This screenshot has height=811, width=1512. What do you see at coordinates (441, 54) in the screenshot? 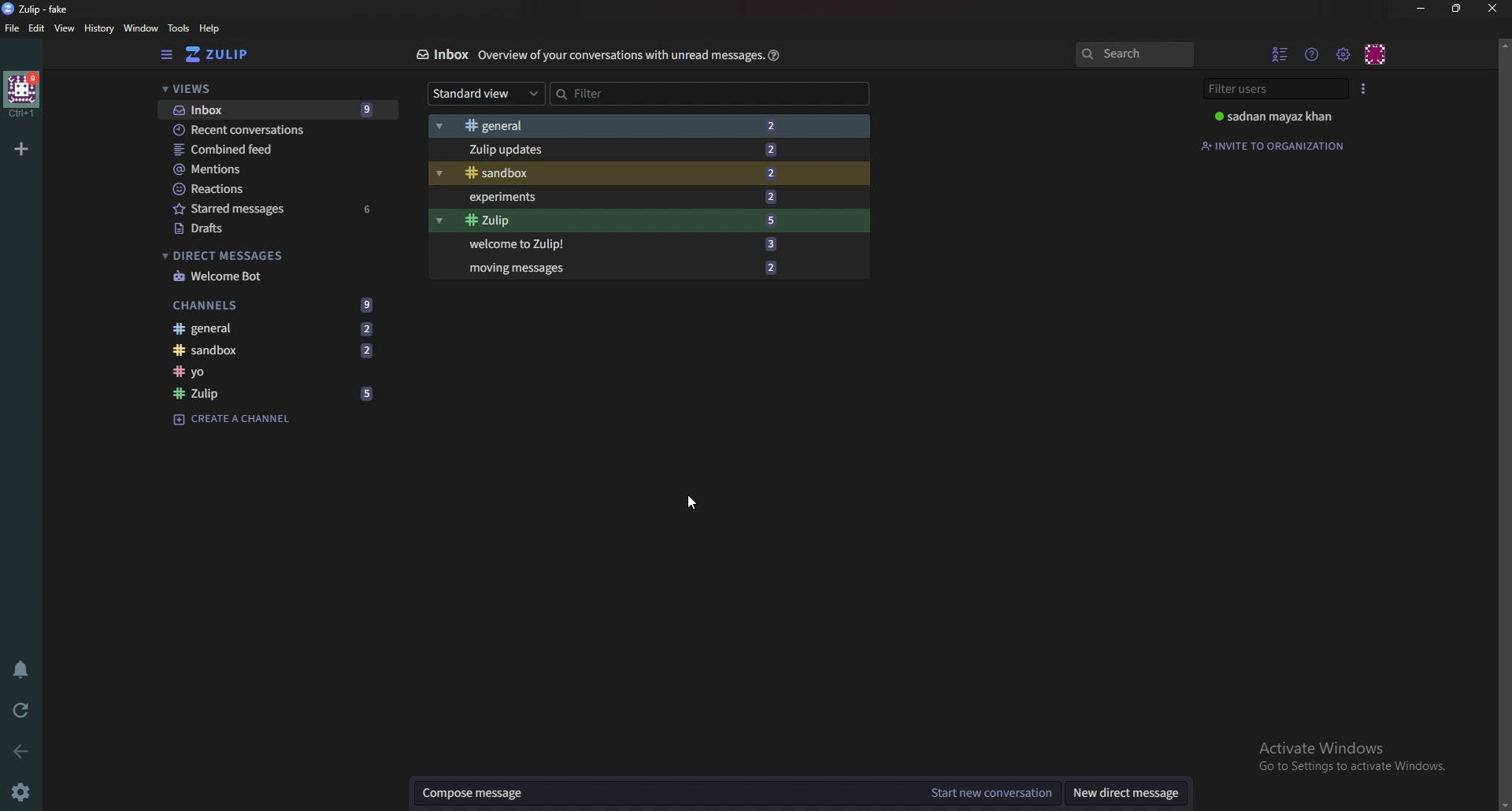
I see `Inbox` at bounding box center [441, 54].